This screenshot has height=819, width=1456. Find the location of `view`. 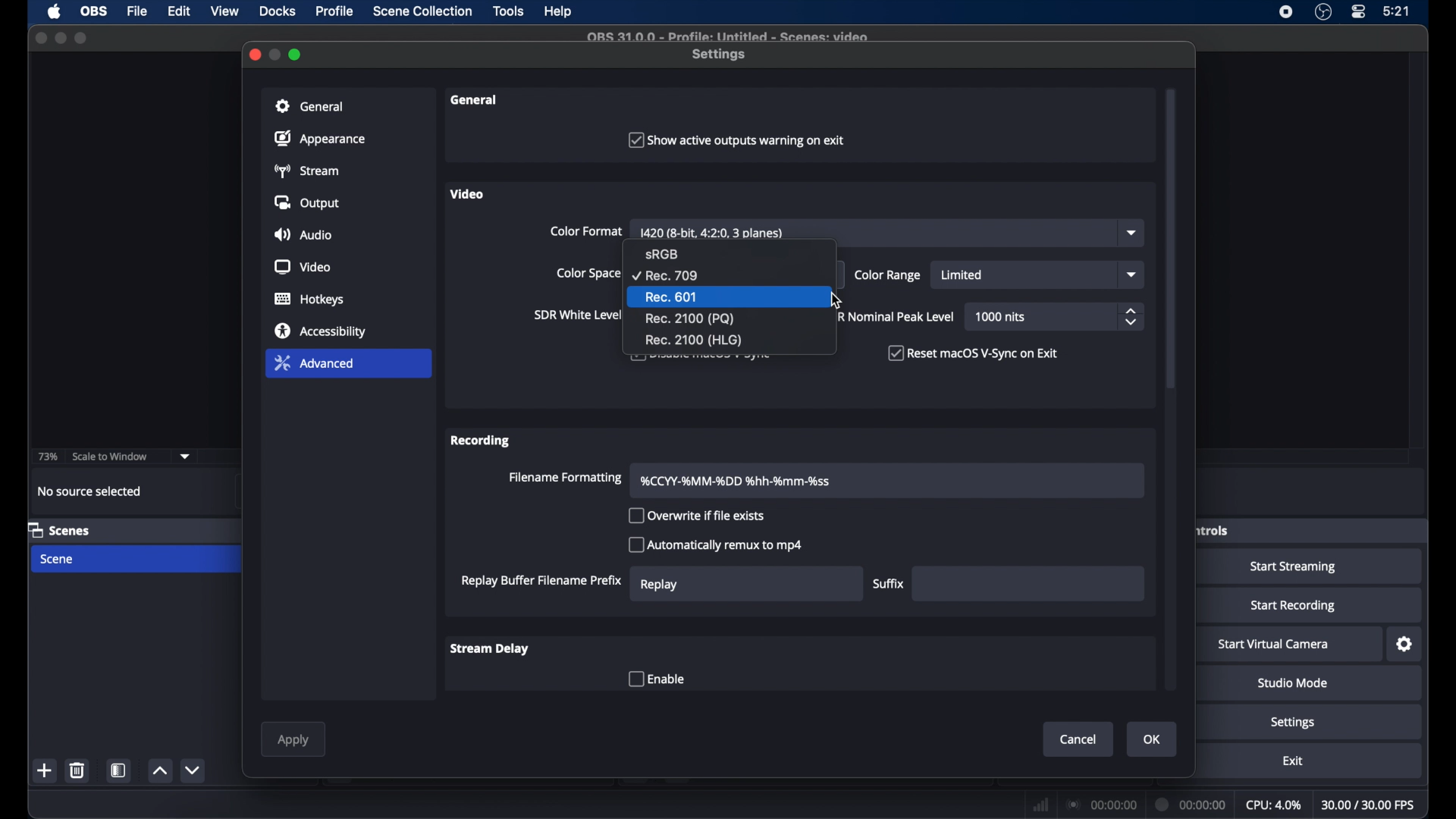

view is located at coordinates (224, 11).